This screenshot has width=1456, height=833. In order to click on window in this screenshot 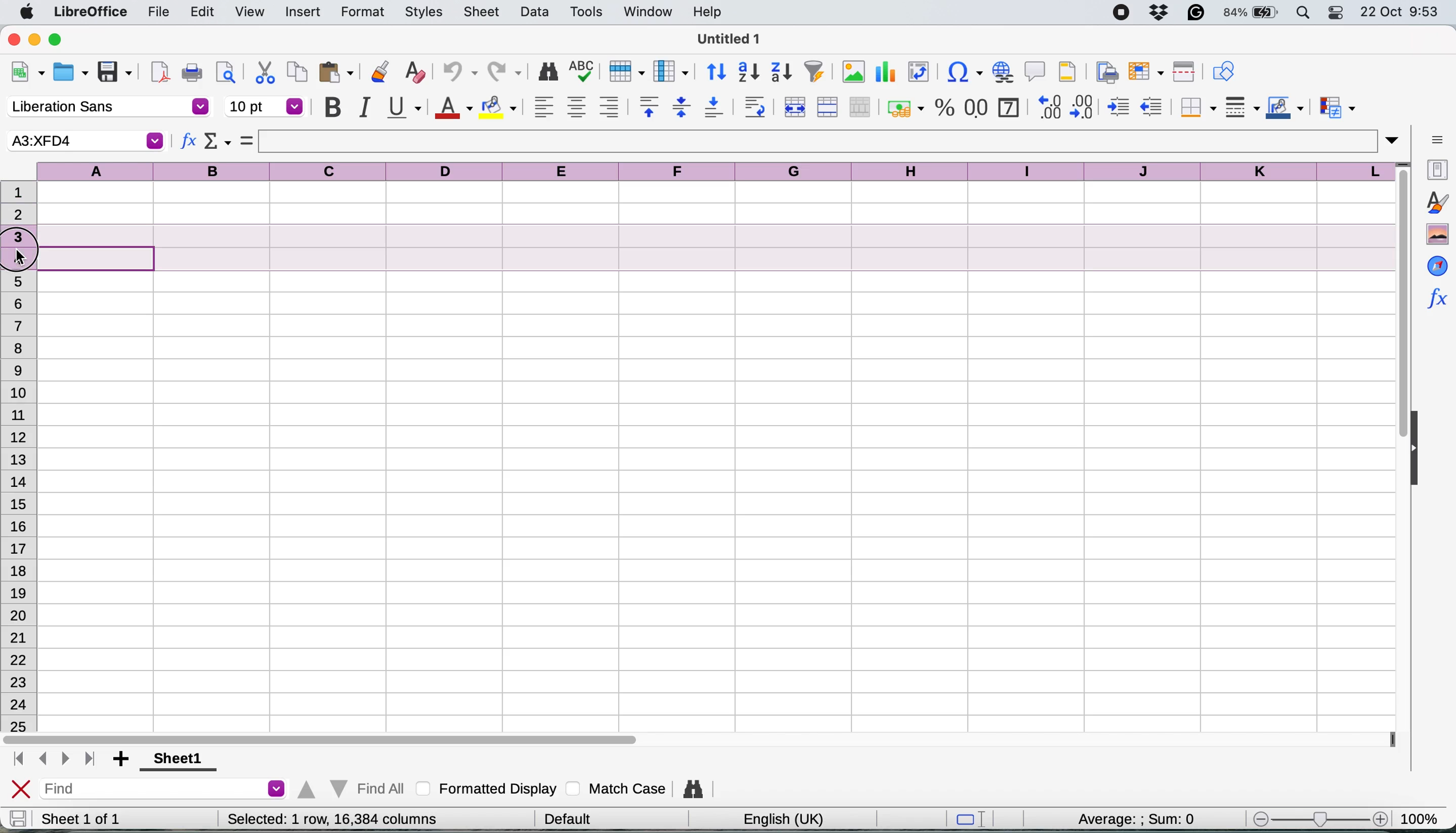, I will do `click(647, 13)`.